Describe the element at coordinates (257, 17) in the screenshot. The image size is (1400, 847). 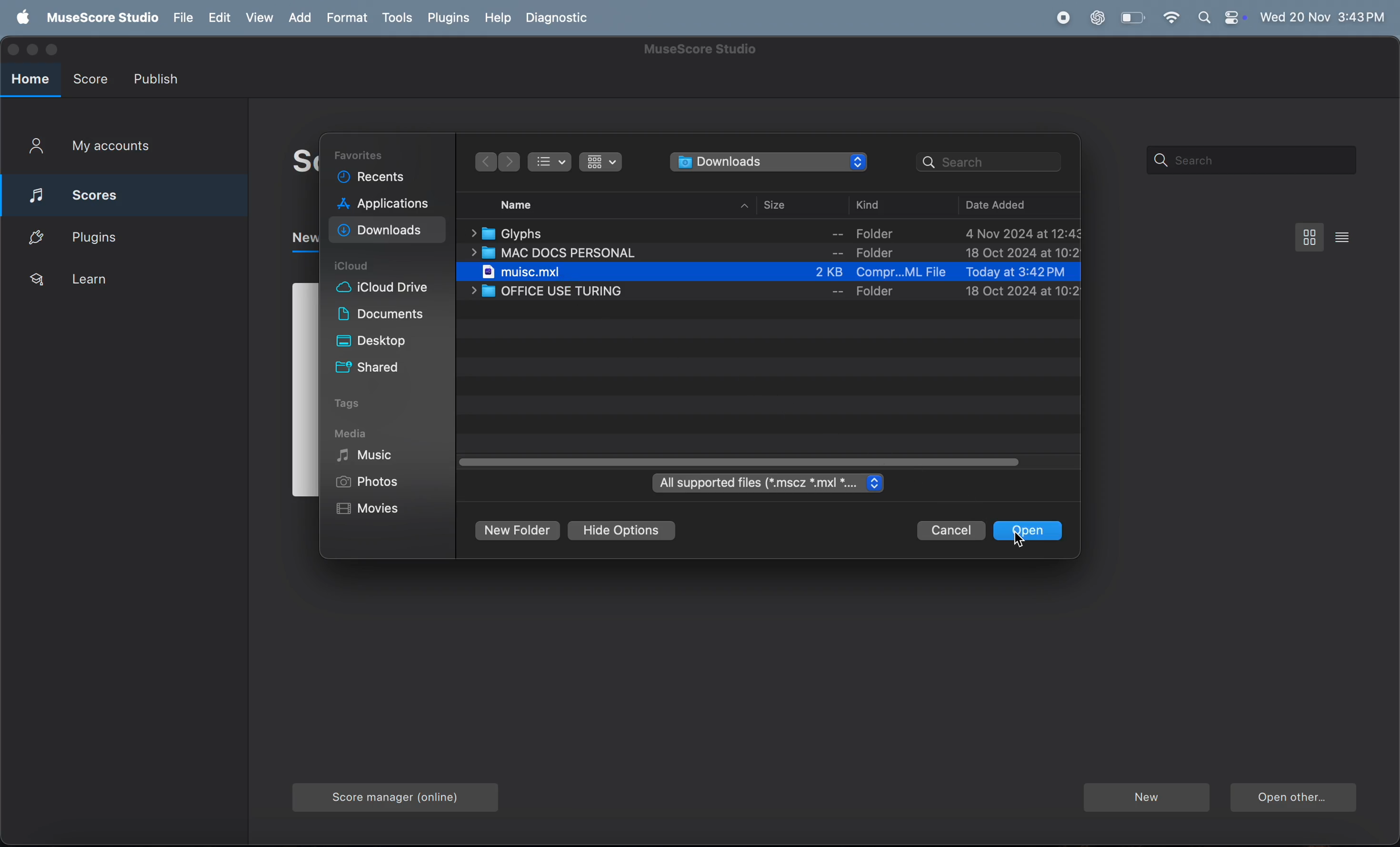
I see `view` at that location.